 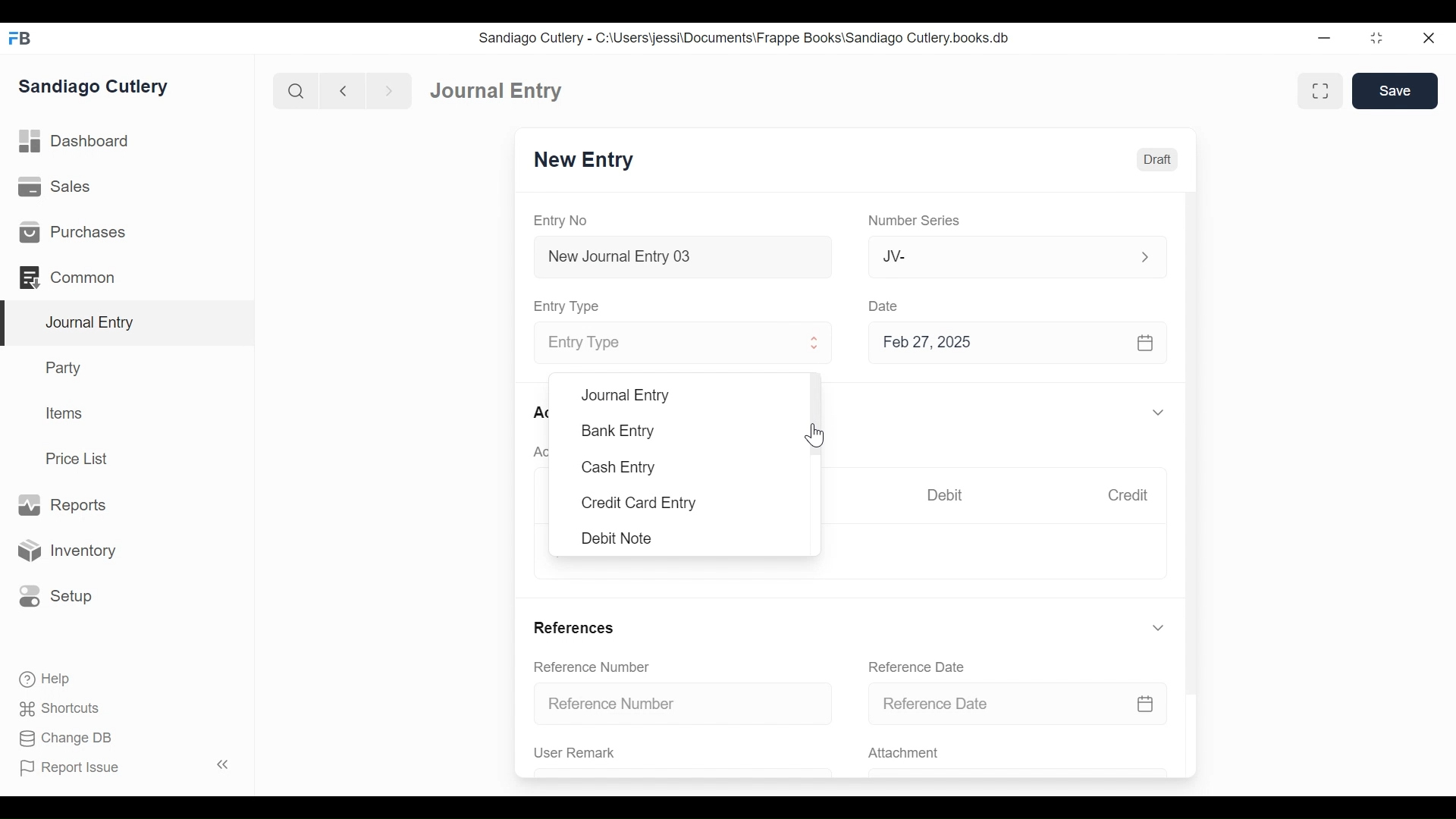 I want to click on Expand, so click(x=1143, y=256).